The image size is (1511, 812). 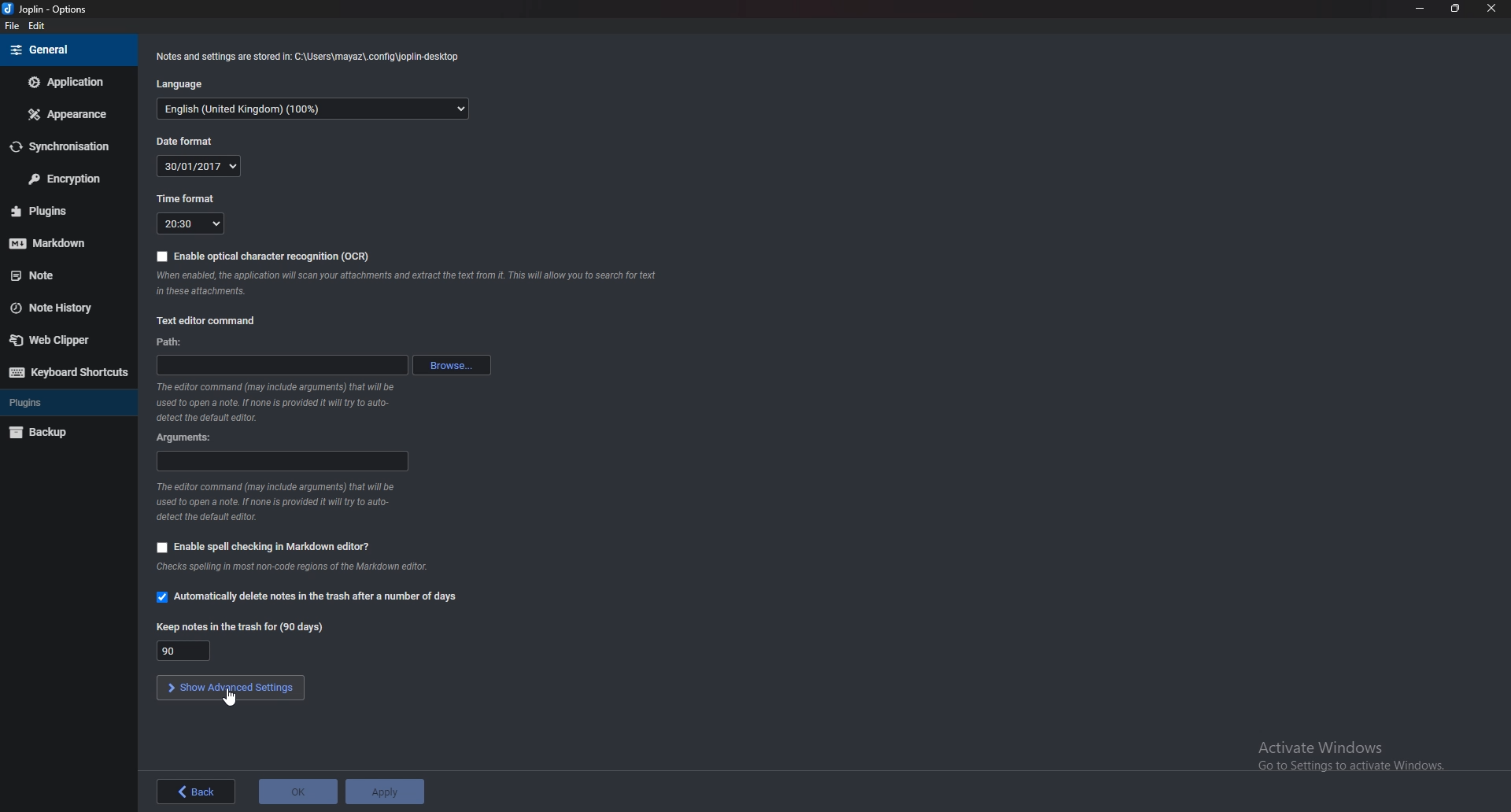 I want to click on 20:30, so click(x=190, y=222).